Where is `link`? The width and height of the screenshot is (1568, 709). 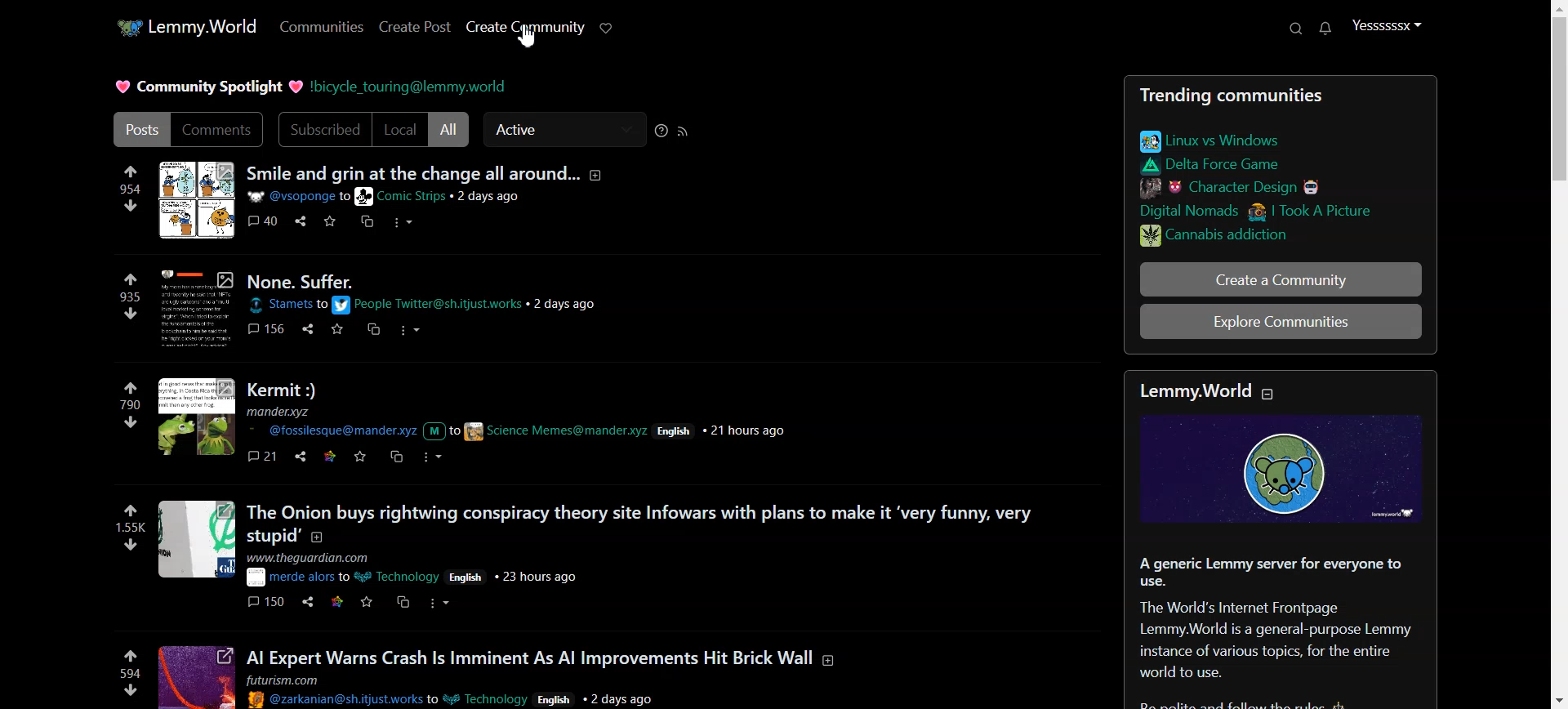 link is located at coordinates (331, 455).